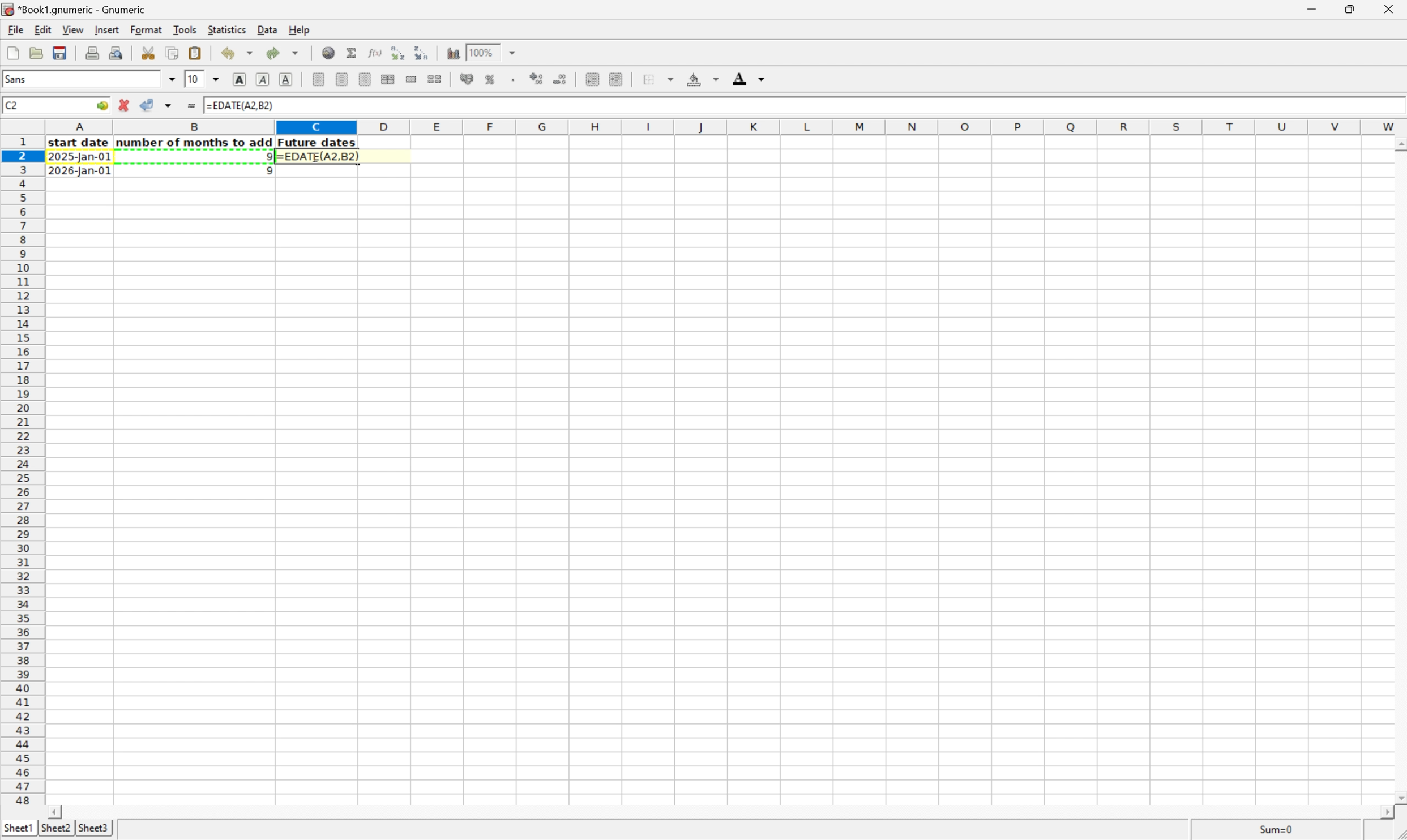 The height and width of the screenshot is (840, 1407). Describe the element at coordinates (72, 29) in the screenshot. I see `View` at that location.